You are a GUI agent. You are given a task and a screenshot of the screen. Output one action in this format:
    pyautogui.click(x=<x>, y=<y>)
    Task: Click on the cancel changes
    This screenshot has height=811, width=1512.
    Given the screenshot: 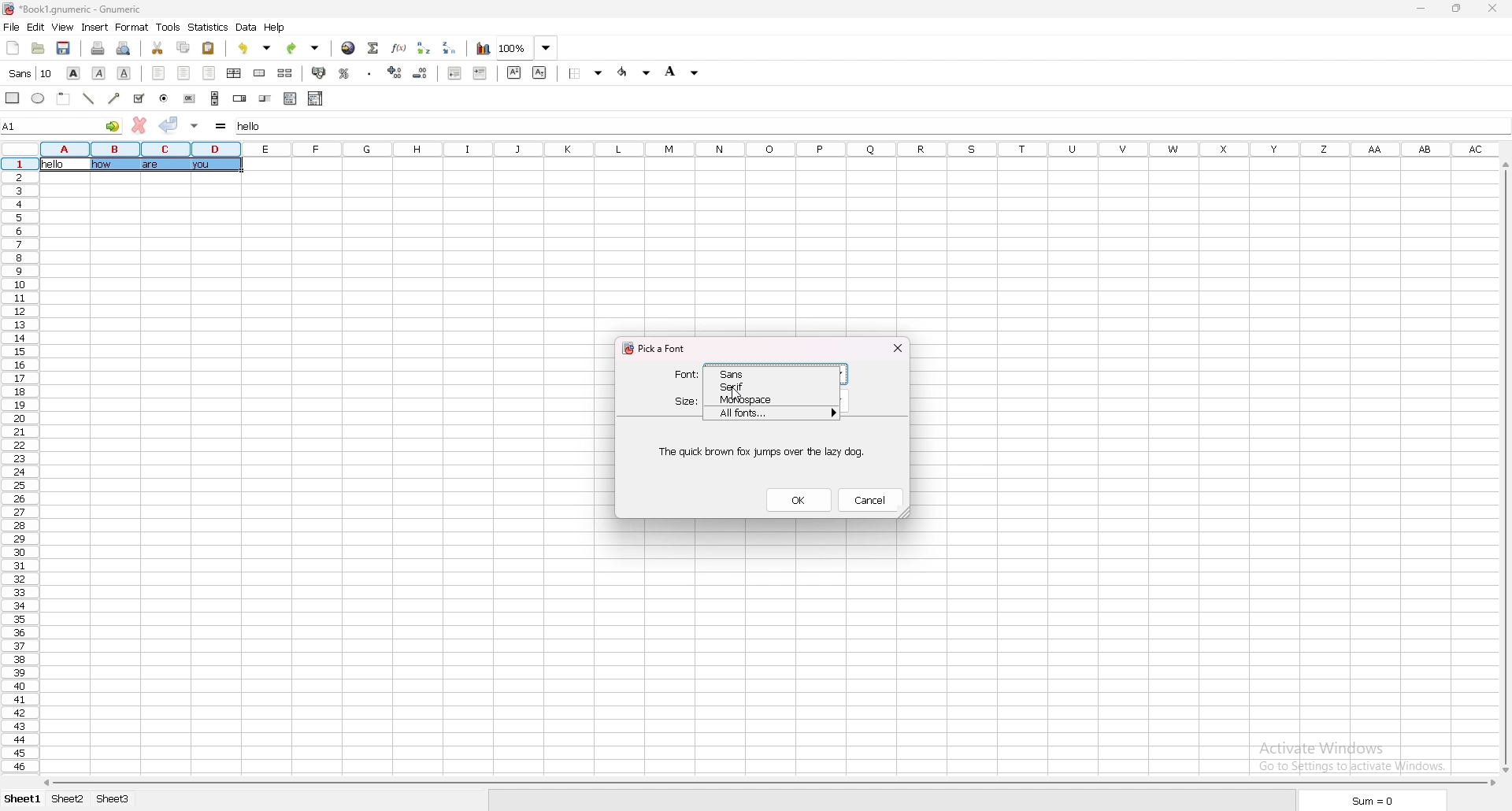 What is the action you would take?
    pyautogui.click(x=139, y=125)
    